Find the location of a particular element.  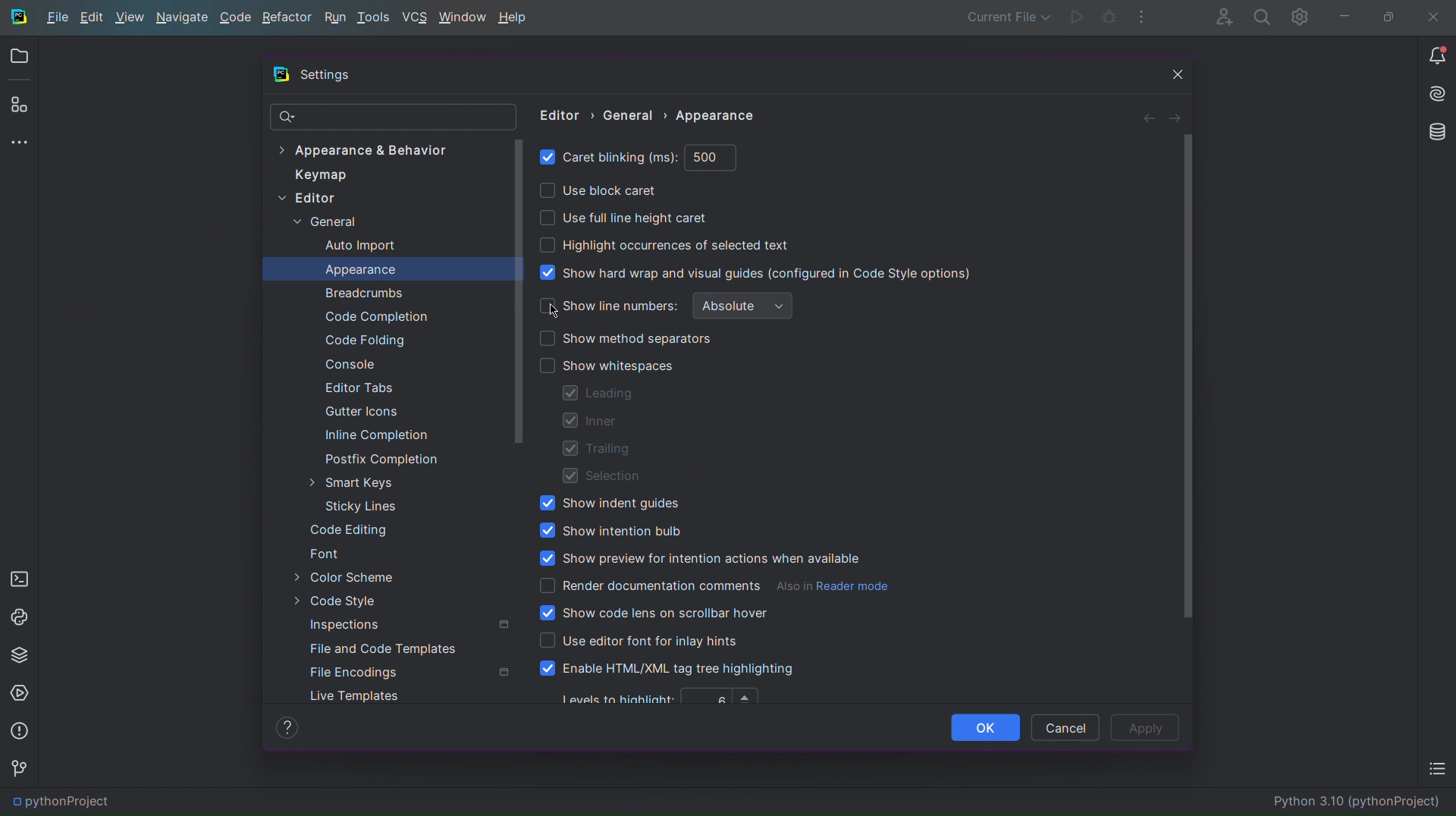

Editor is located at coordinates (558, 115).